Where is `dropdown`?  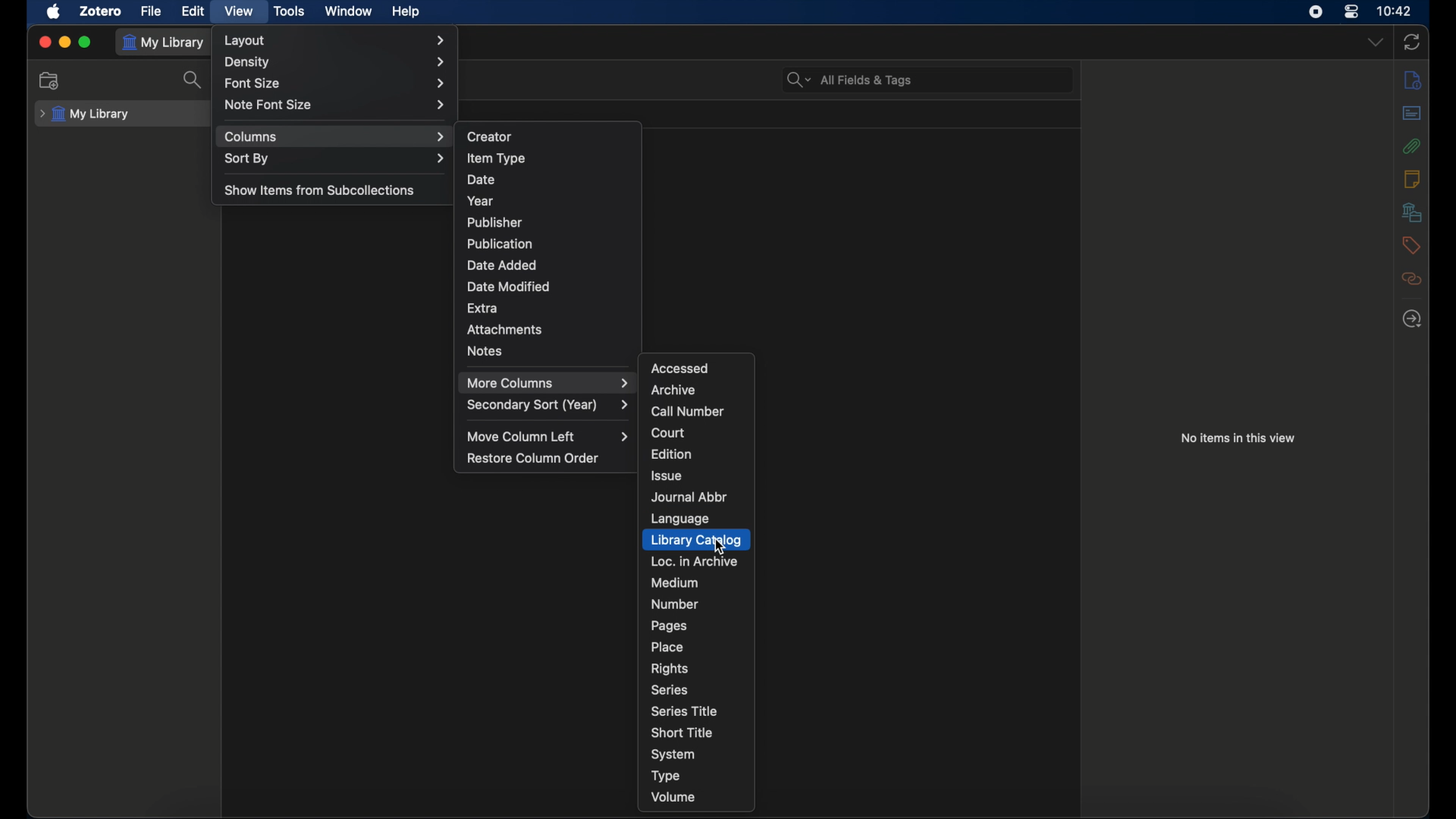 dropdown is located at coordinates (1375, 42).